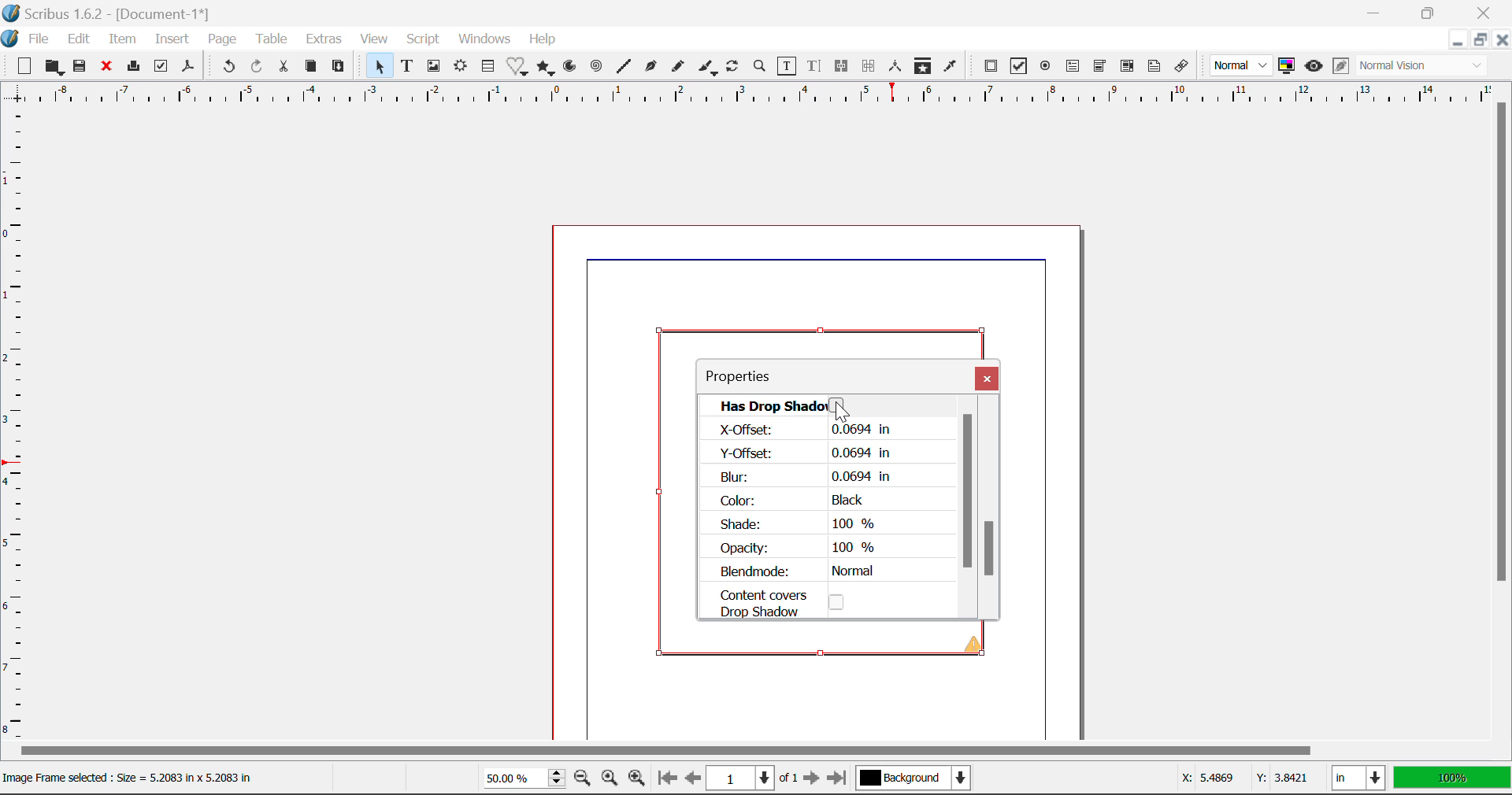 The height and width of the screenshot is (795, 1512). What do you see at coordinates (171, 39) in the screenshot?
I see `Insert` at bounding box center [171, 39].